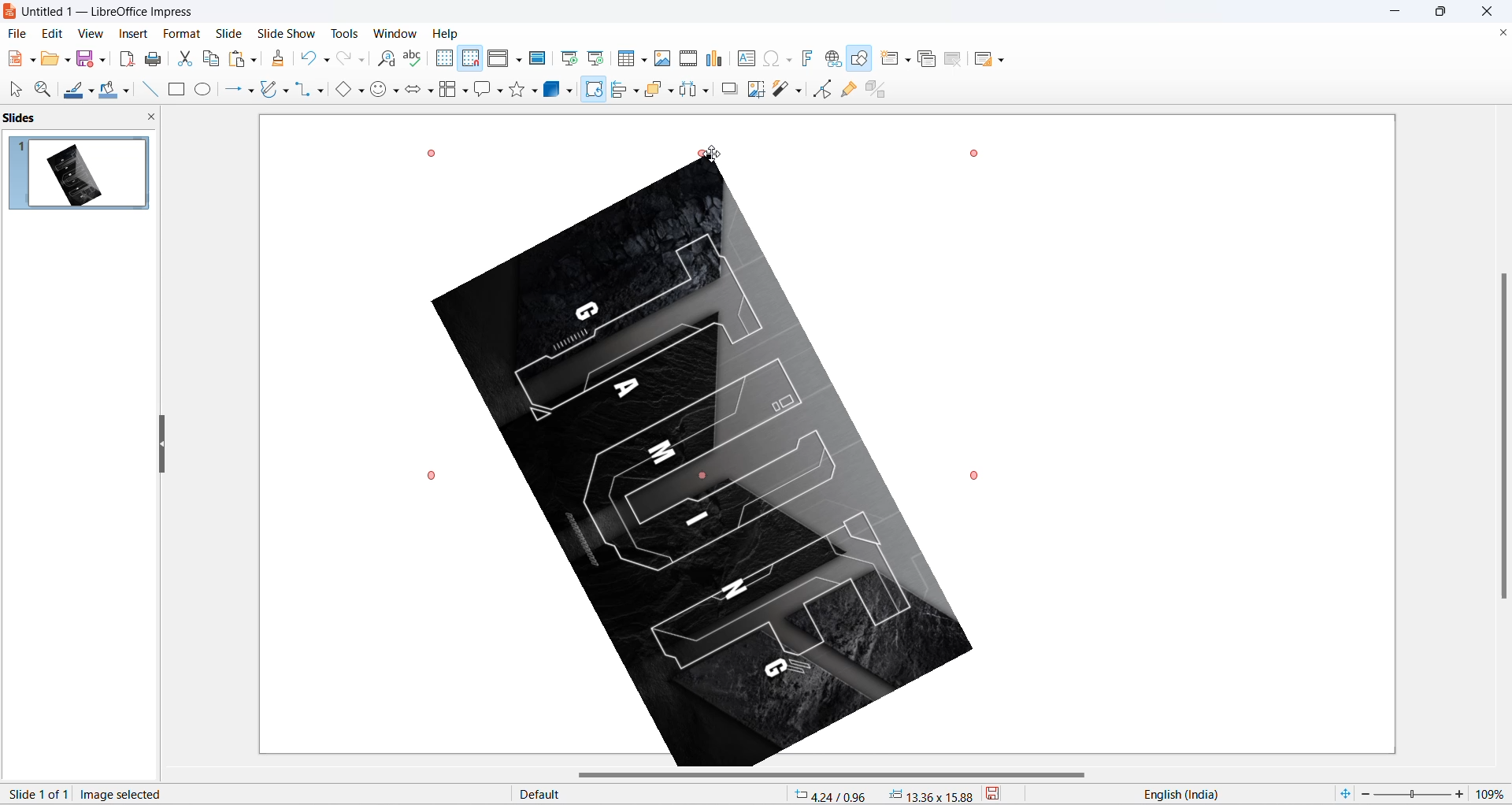  What do you see at coordinates (1397, 12) in the screenshot?
I see `minimize` at bounding box center [1397, 12].